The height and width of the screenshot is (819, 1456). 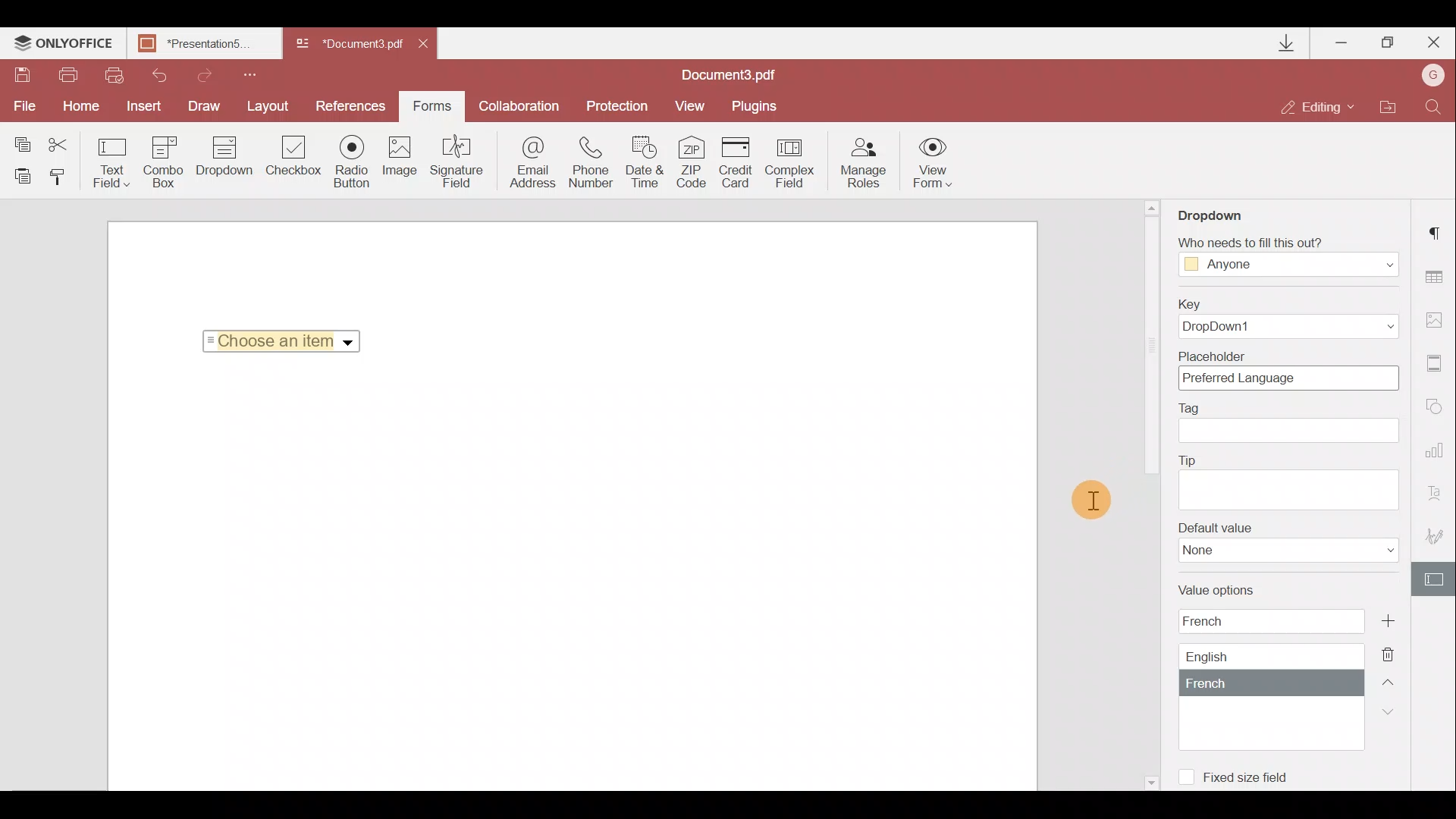 I want to click on Default value, so click(x=1288, y=542).